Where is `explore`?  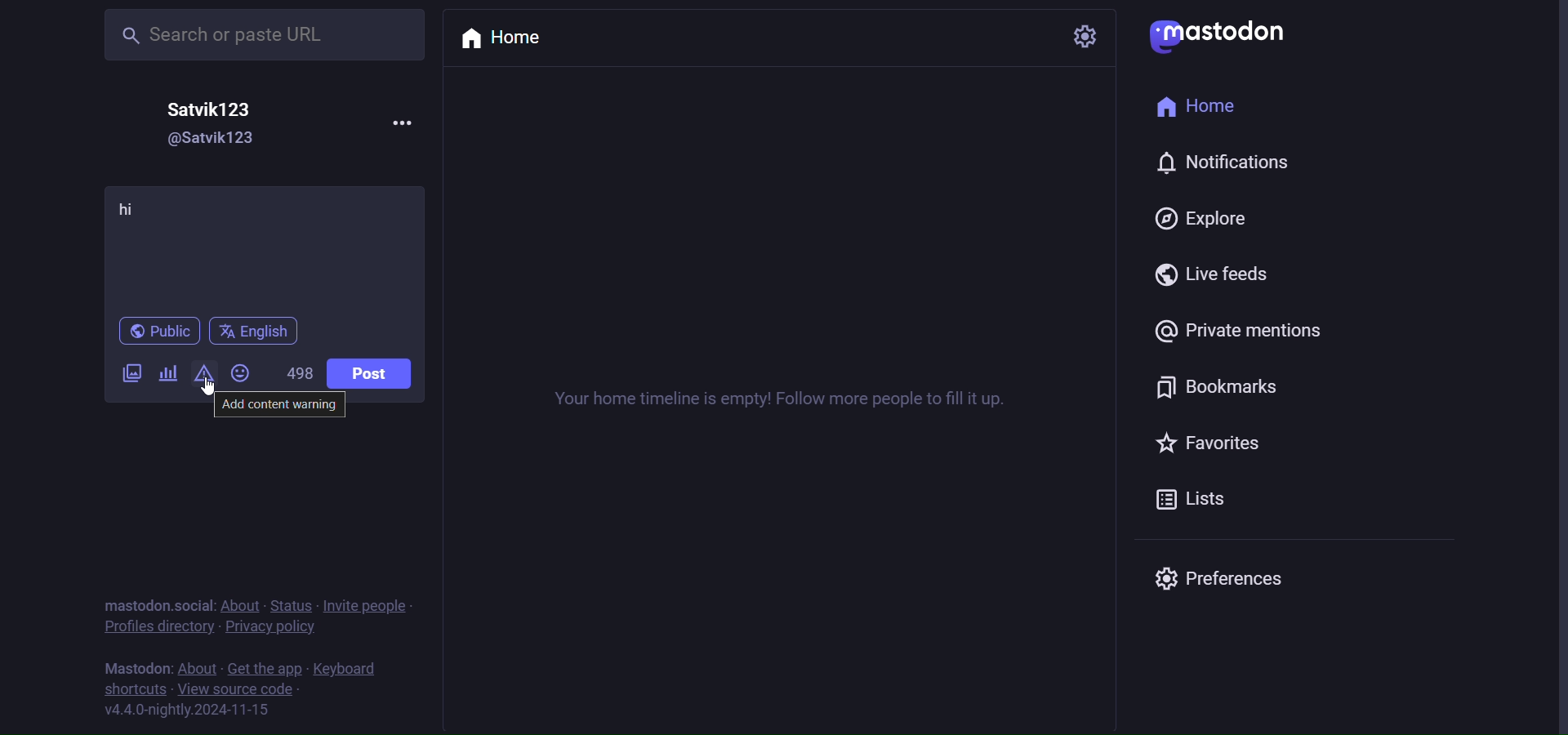
explore is located at coordinates (1202, 218).